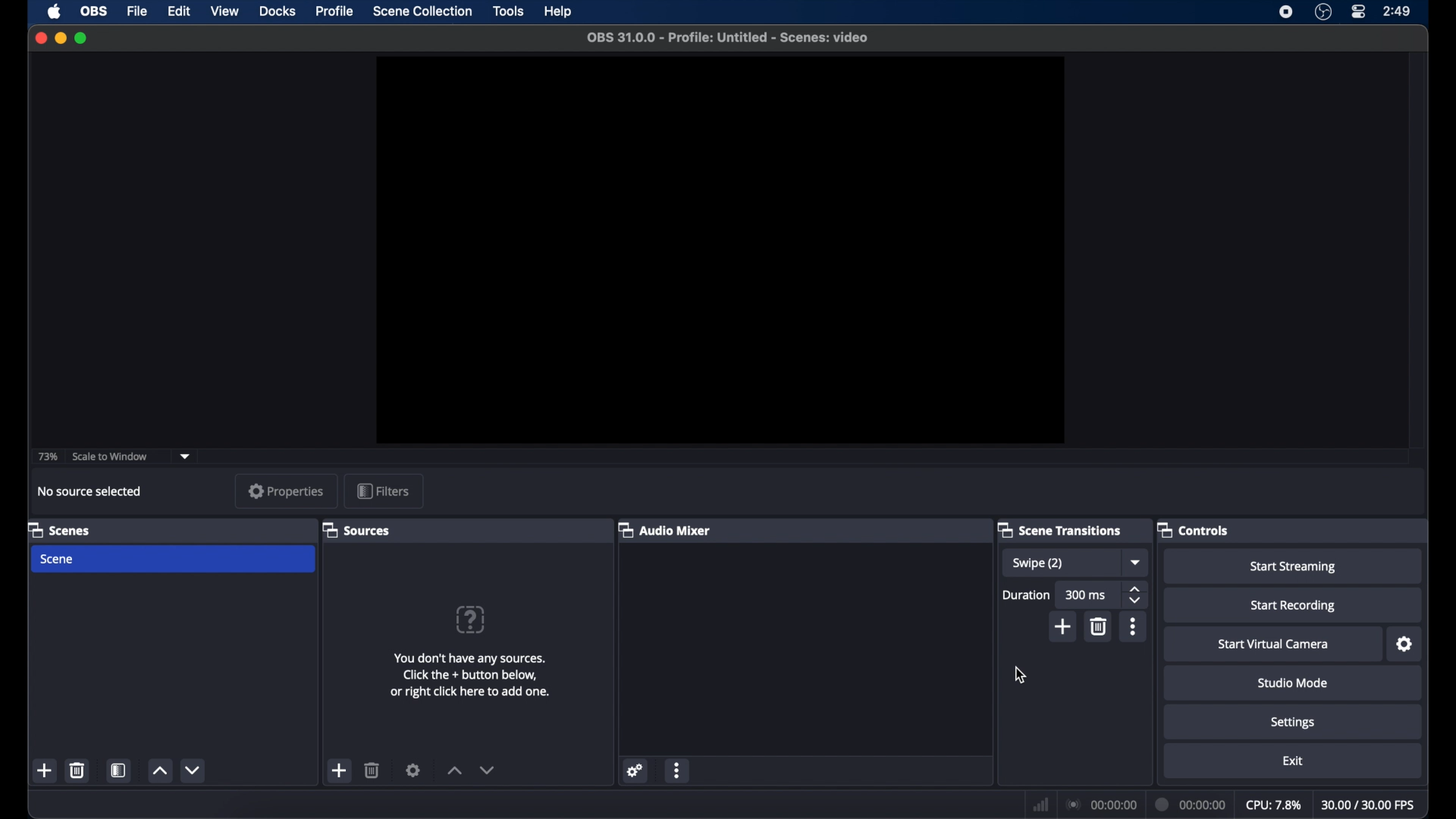 The image size is (1456, 819). I want to click on network, so click(1039, 805).